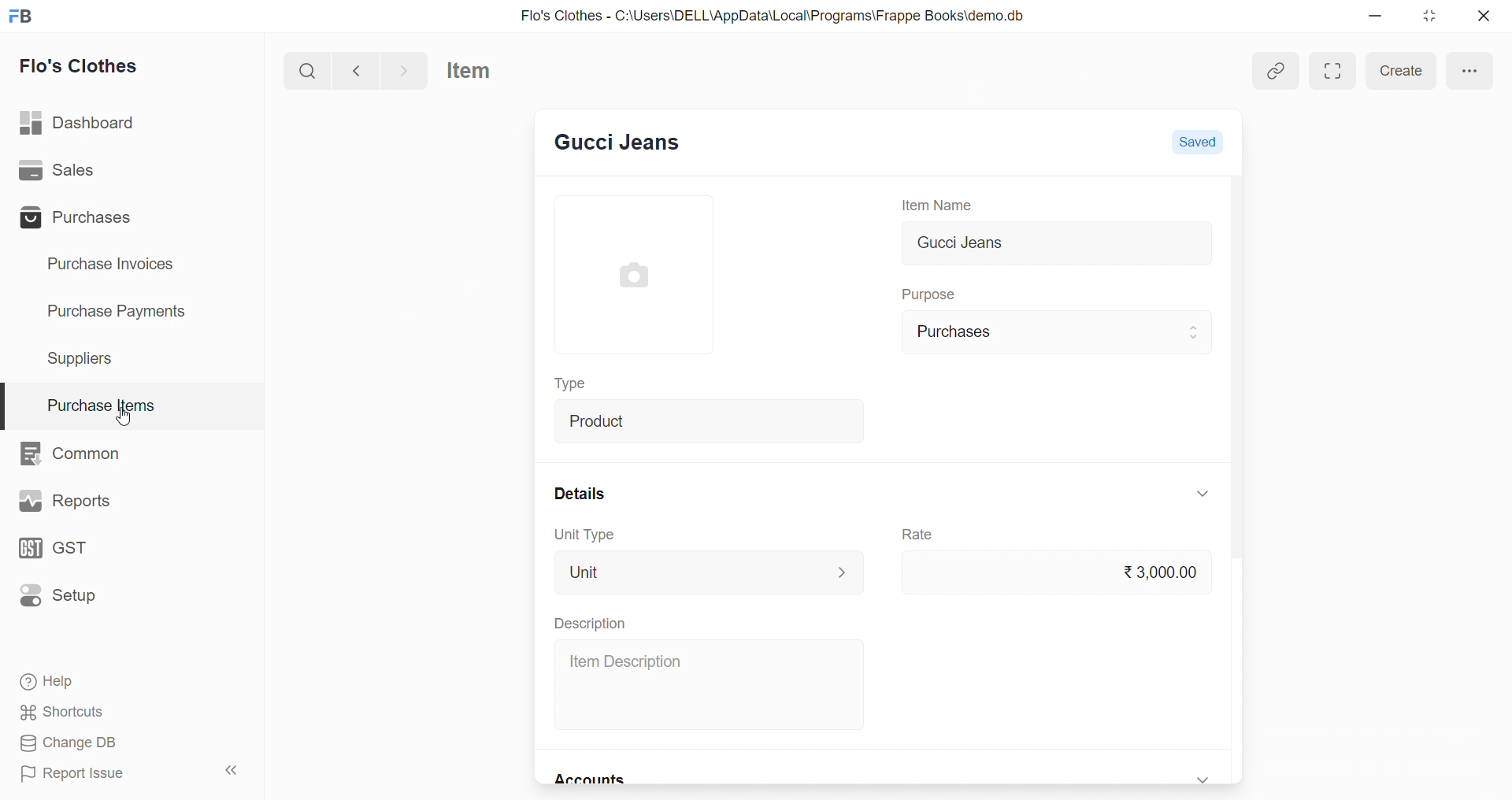 This screenshot has height=800, width=1512. What do you see at coordinates (1243, 480) in the screenshot?
I see `scroll bar` at bounding box center [1243, 480].